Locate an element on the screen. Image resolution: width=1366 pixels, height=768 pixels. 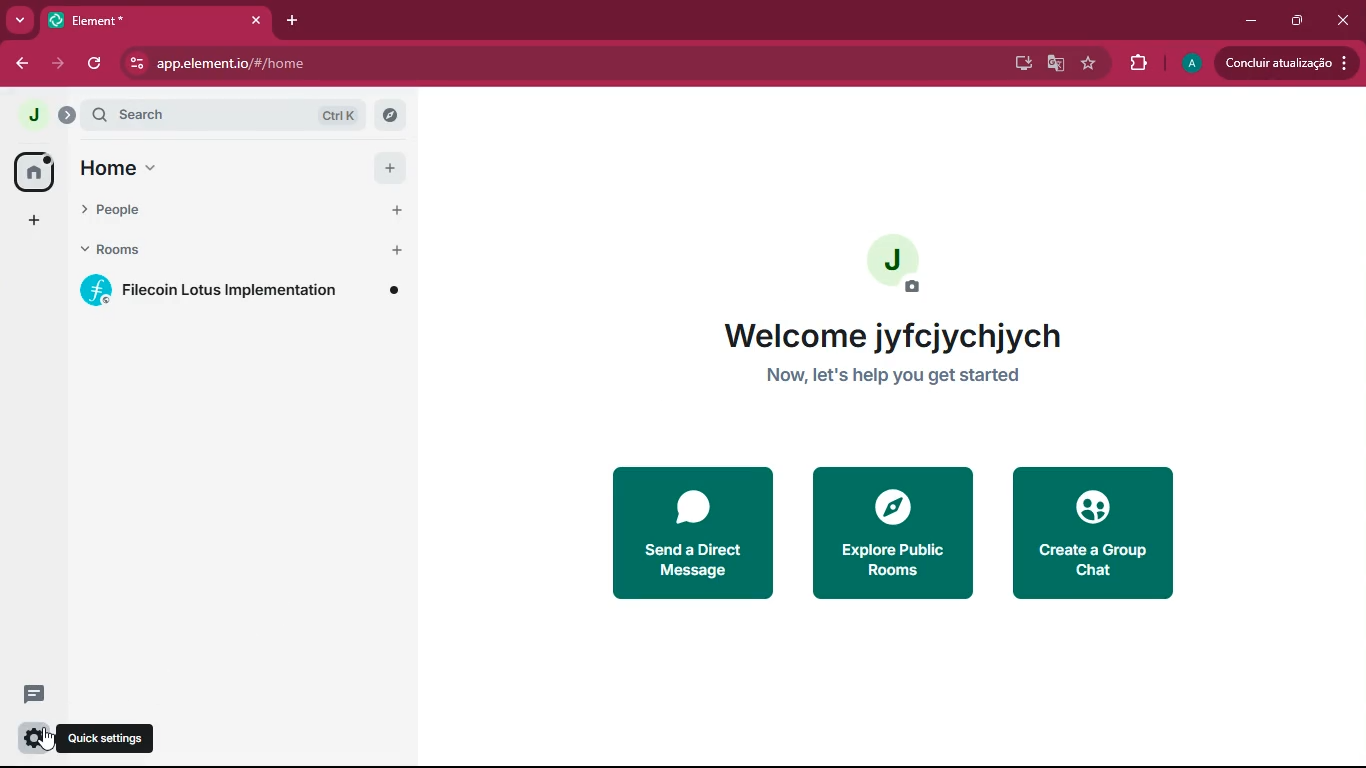
more is located at coordinates (19, 19).